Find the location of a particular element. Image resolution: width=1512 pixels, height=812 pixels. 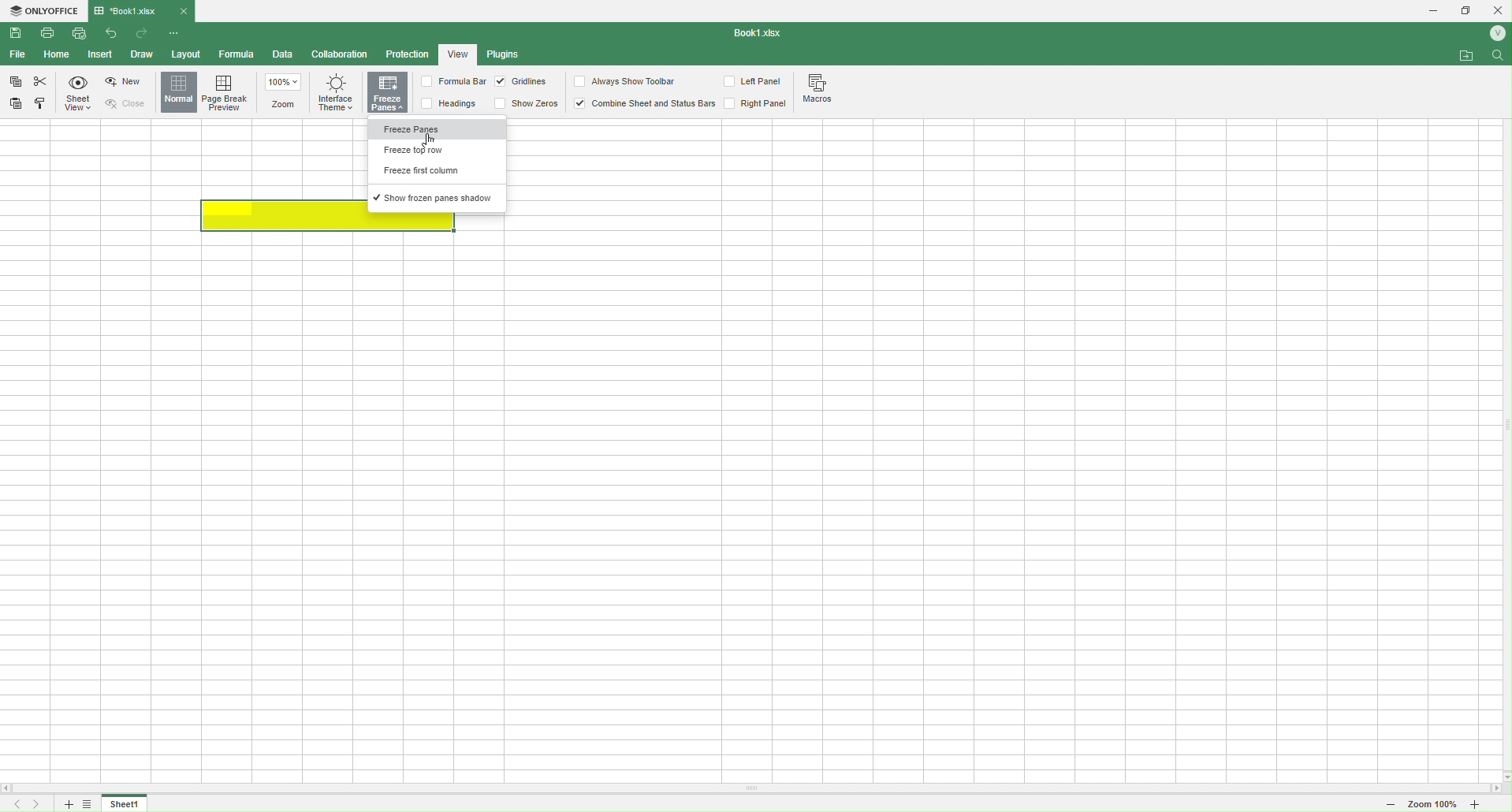

Normal is located at coordinates (179, 92).